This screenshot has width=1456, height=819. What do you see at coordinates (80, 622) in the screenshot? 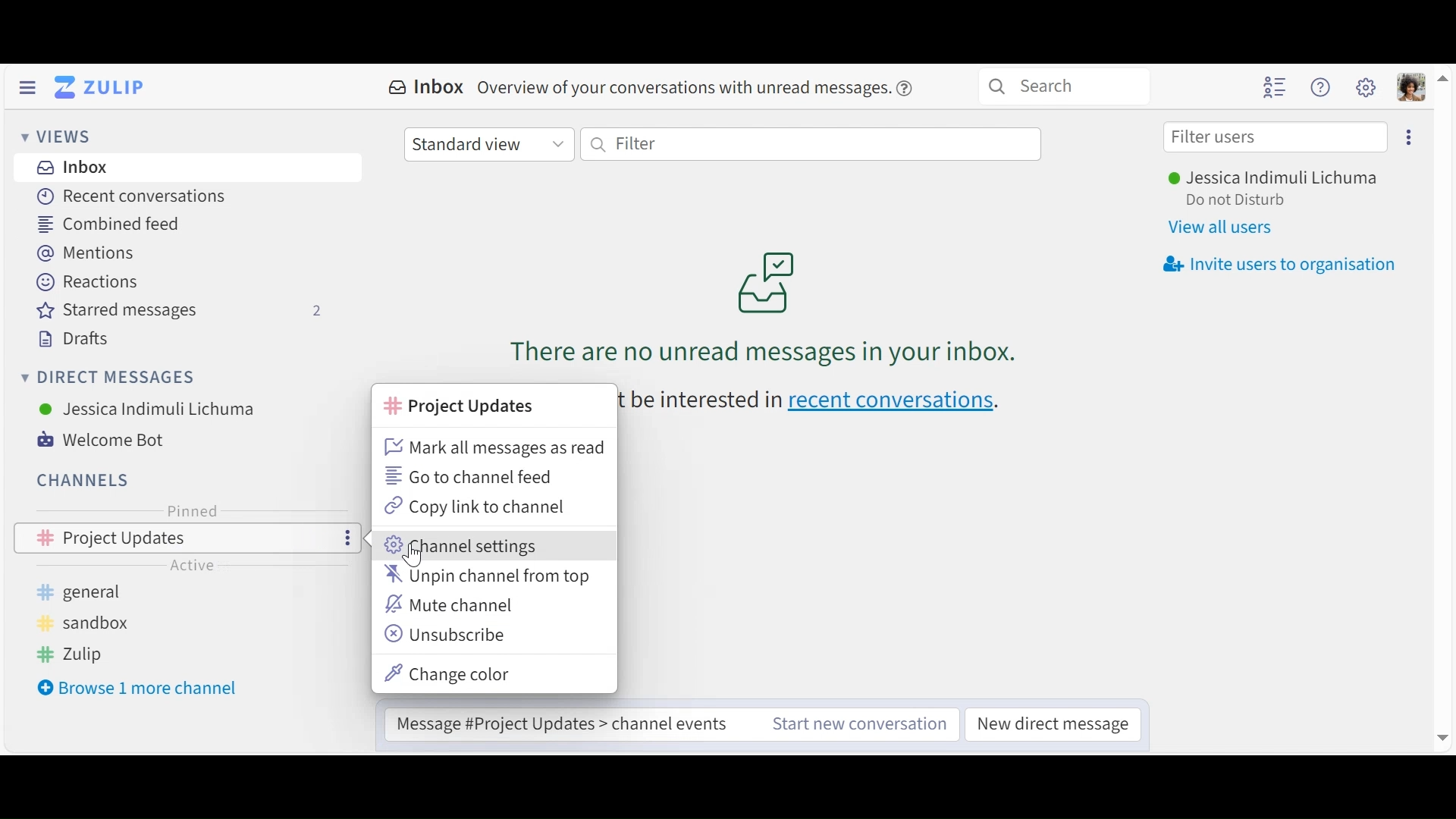
I see `sandbox` at bounding box center [80, 622].